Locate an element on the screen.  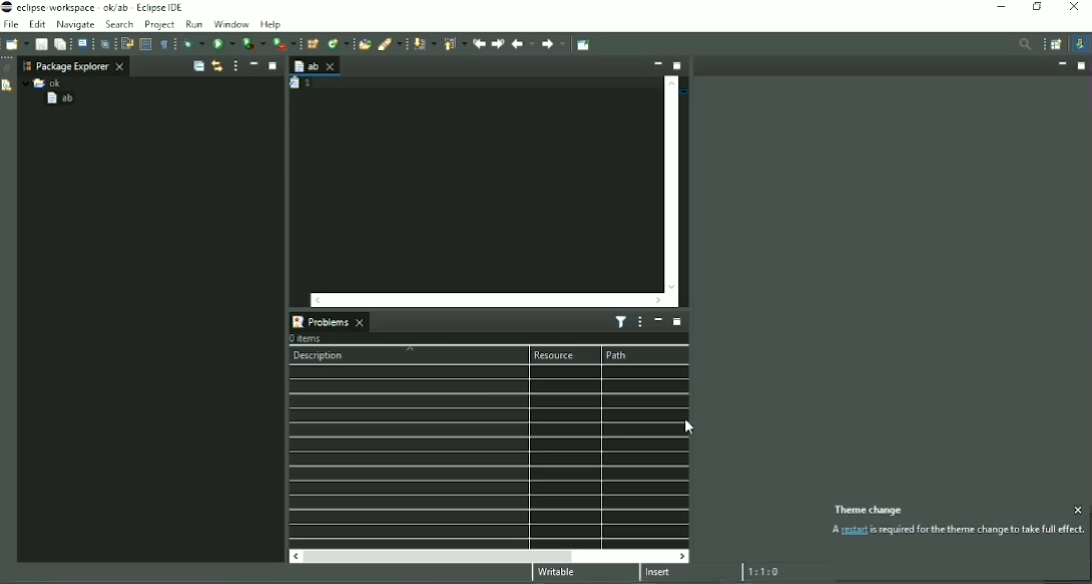
Next Edit Location is located at coordinates (498, 43).